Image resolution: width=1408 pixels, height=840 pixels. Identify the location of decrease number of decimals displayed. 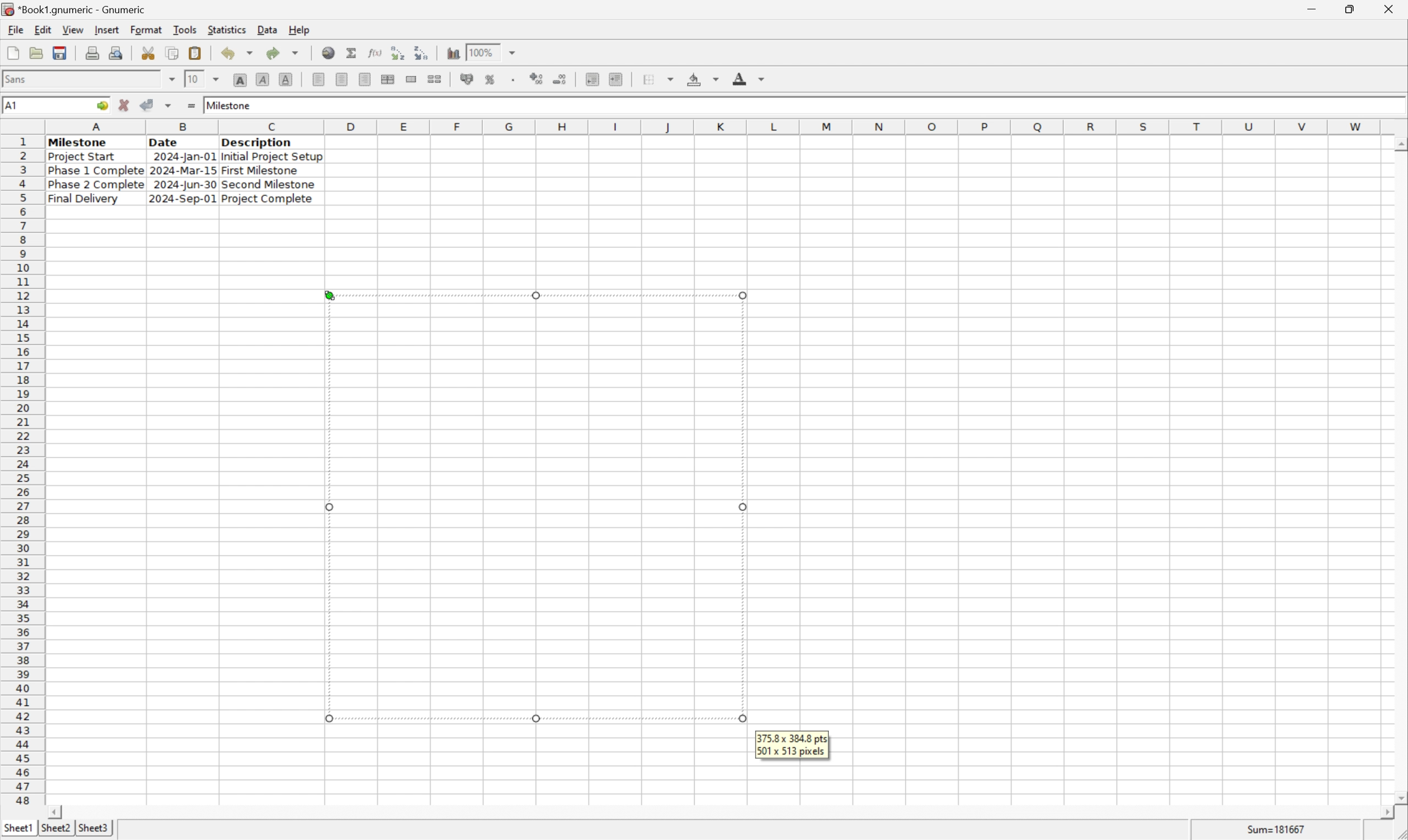
(562, 80).